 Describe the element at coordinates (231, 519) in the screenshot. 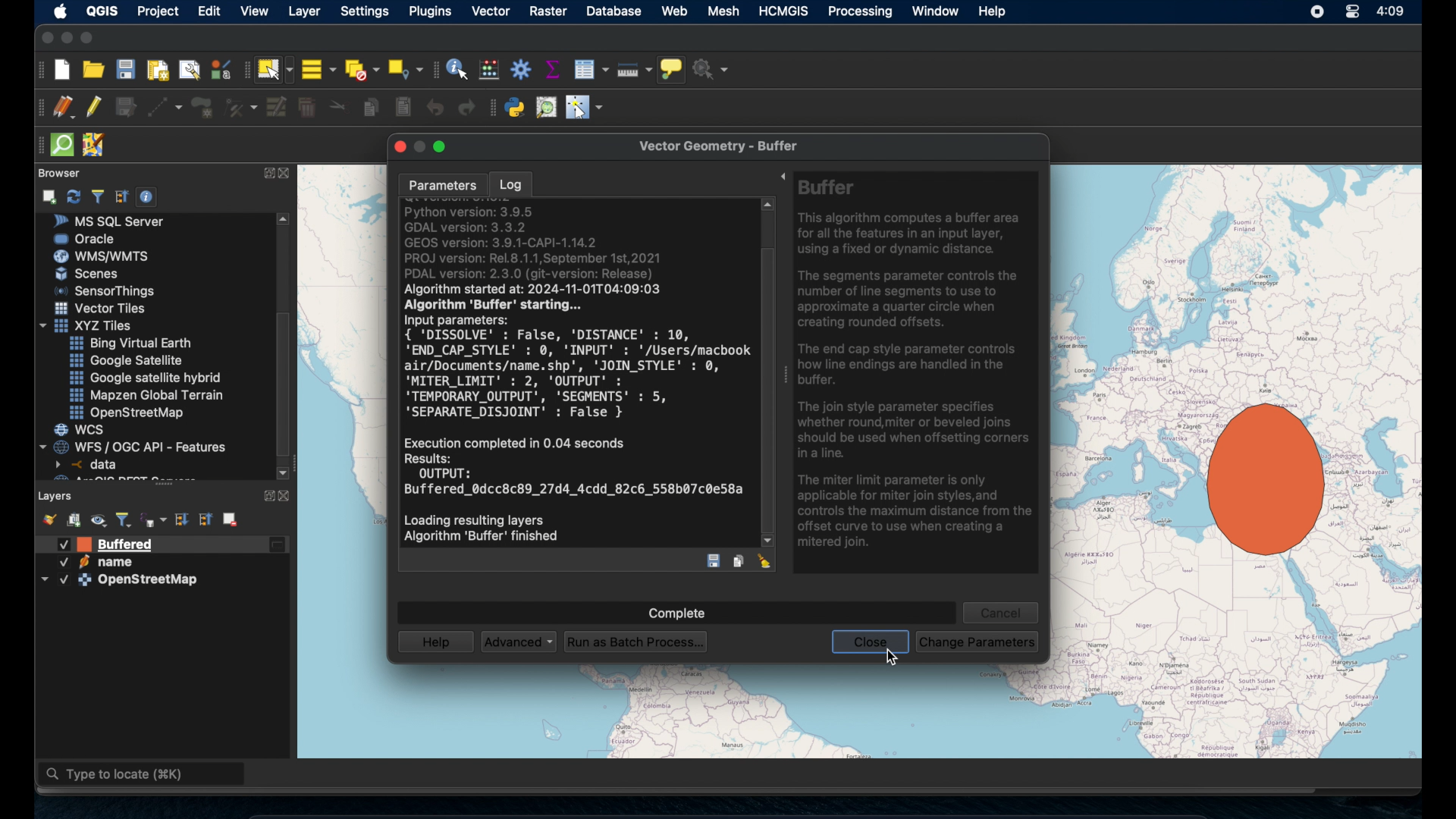

I see `remove layer/group` at that location.